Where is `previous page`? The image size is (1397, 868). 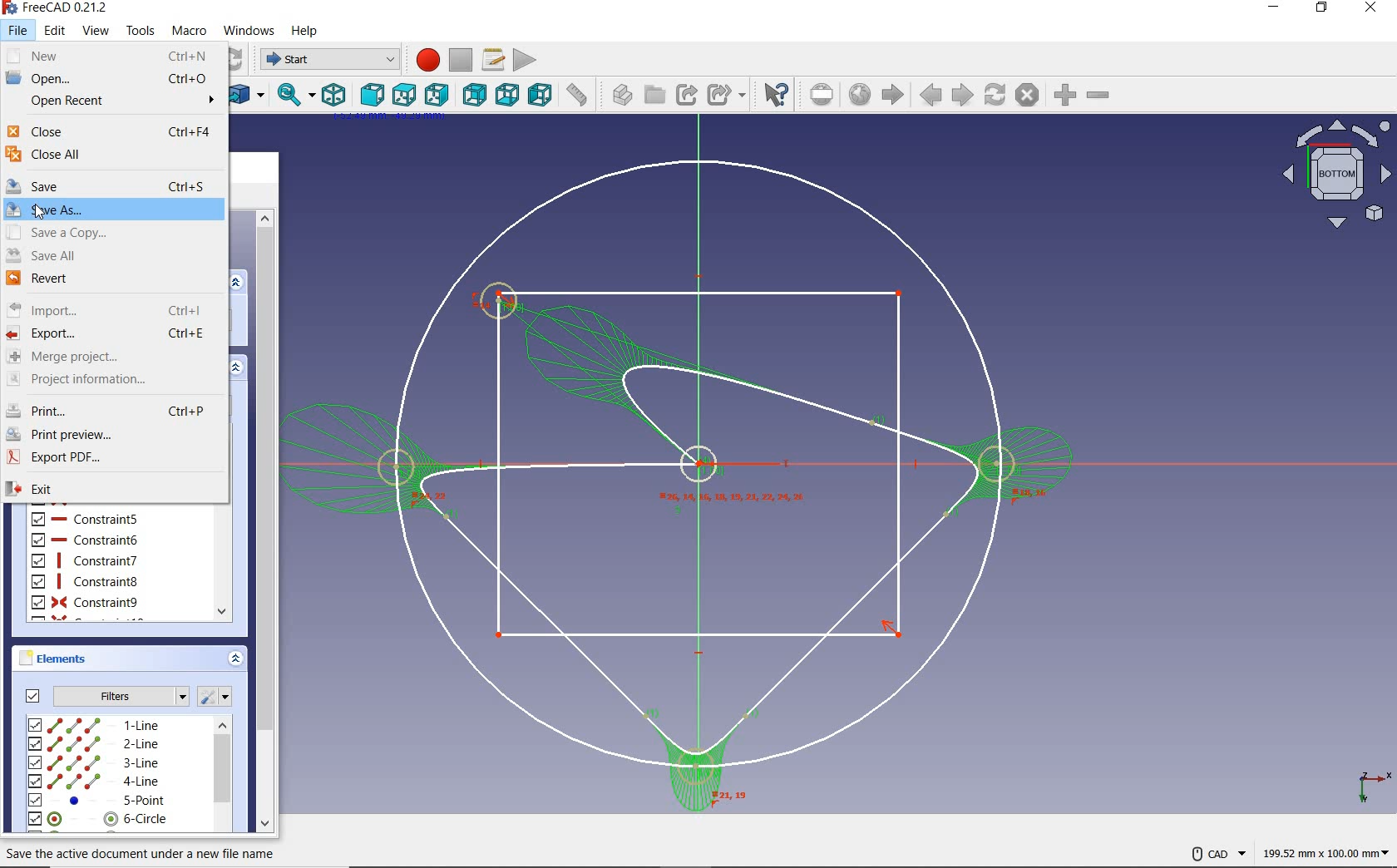
previous page is located at coordinates (931, 97).